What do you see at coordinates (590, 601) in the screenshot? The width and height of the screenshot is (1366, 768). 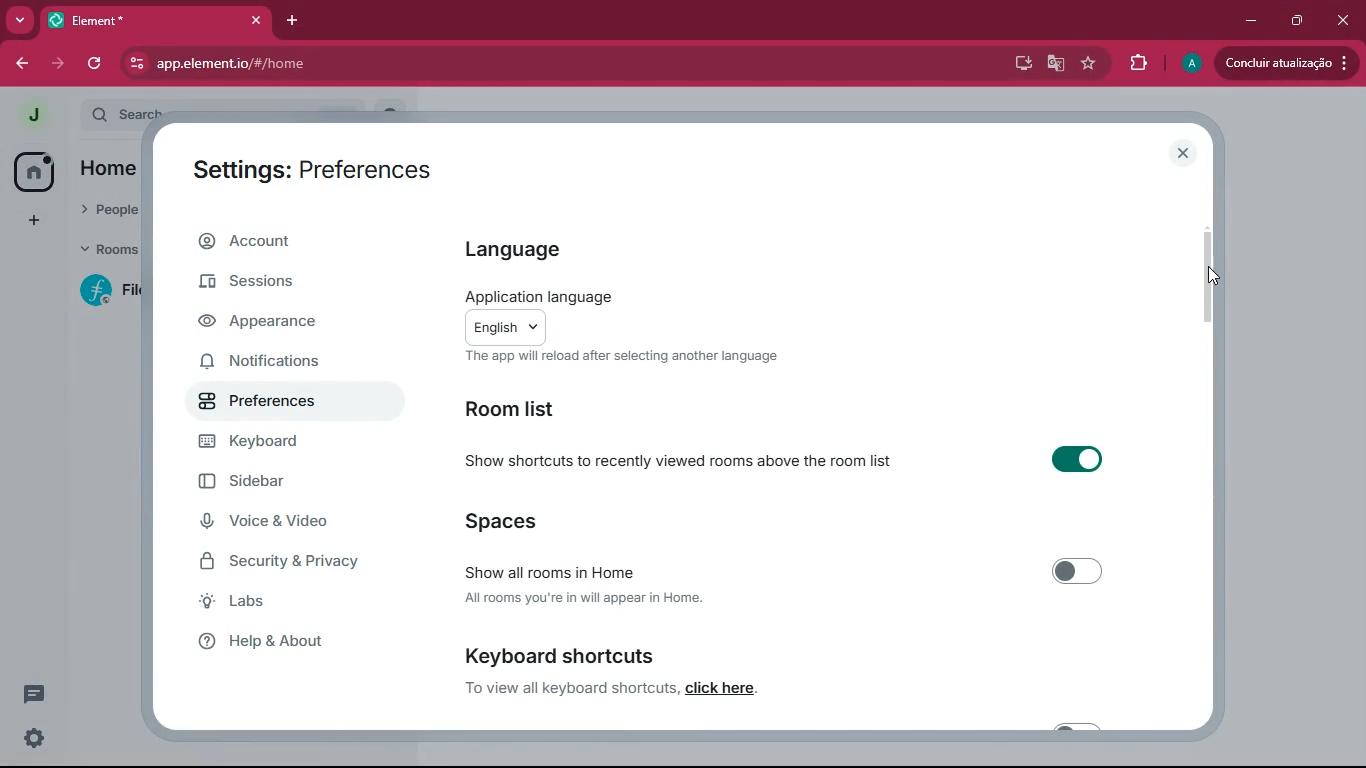 I see `All rooms you're in will appear in Home.` at bounding box center [590, 601].